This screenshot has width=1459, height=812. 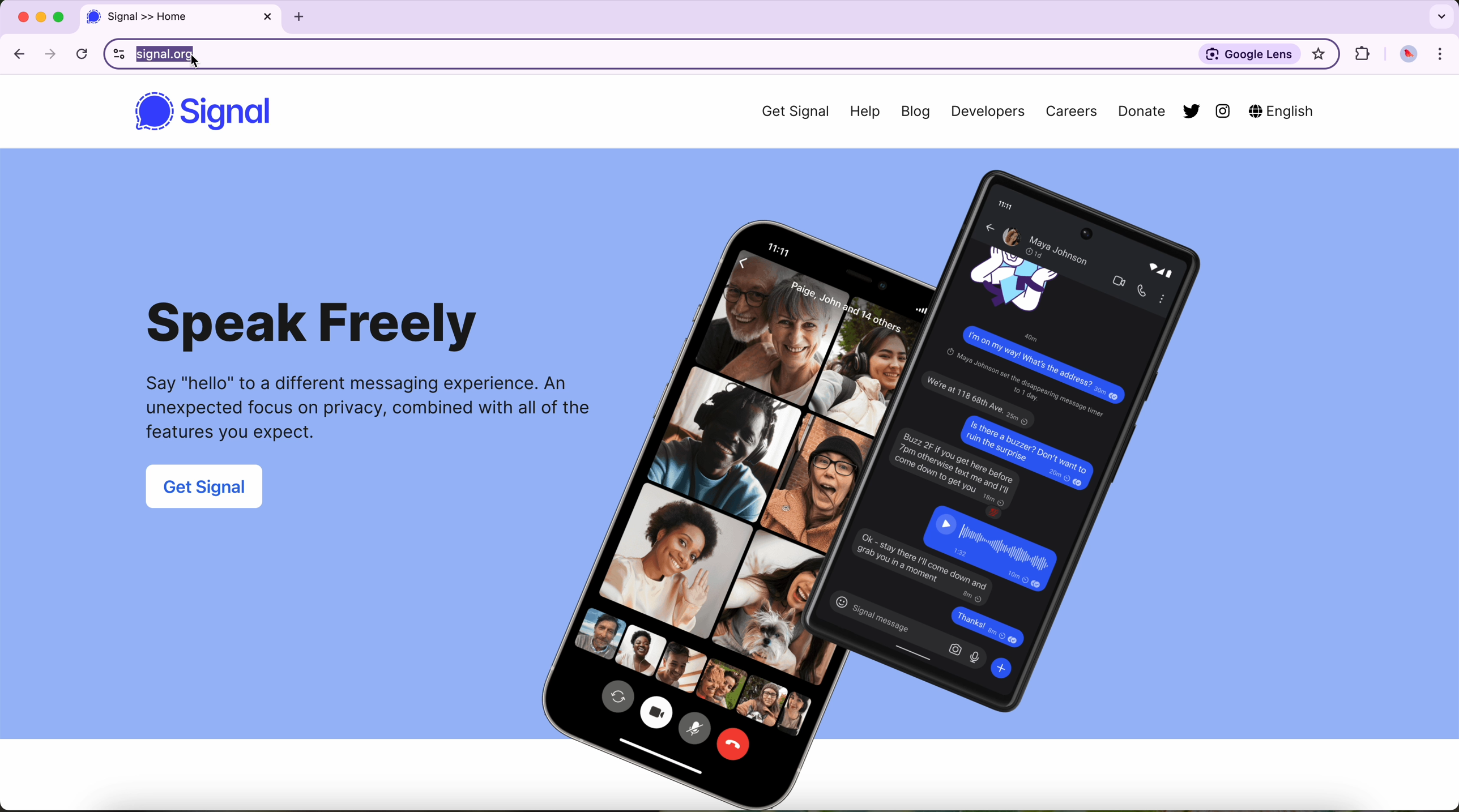 I want to click on Get Signal, so click(x=786, y=111).